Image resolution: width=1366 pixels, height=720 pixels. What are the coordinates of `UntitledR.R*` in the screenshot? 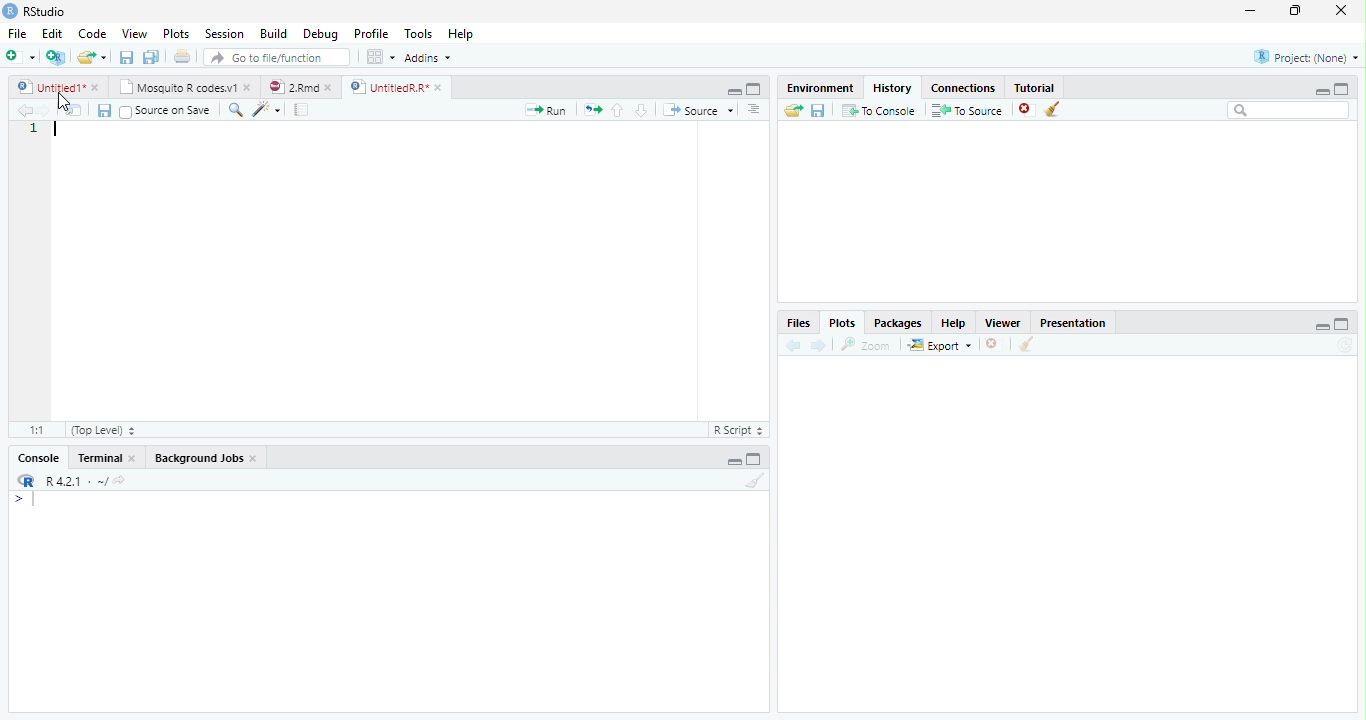 It's located at (388, 88).